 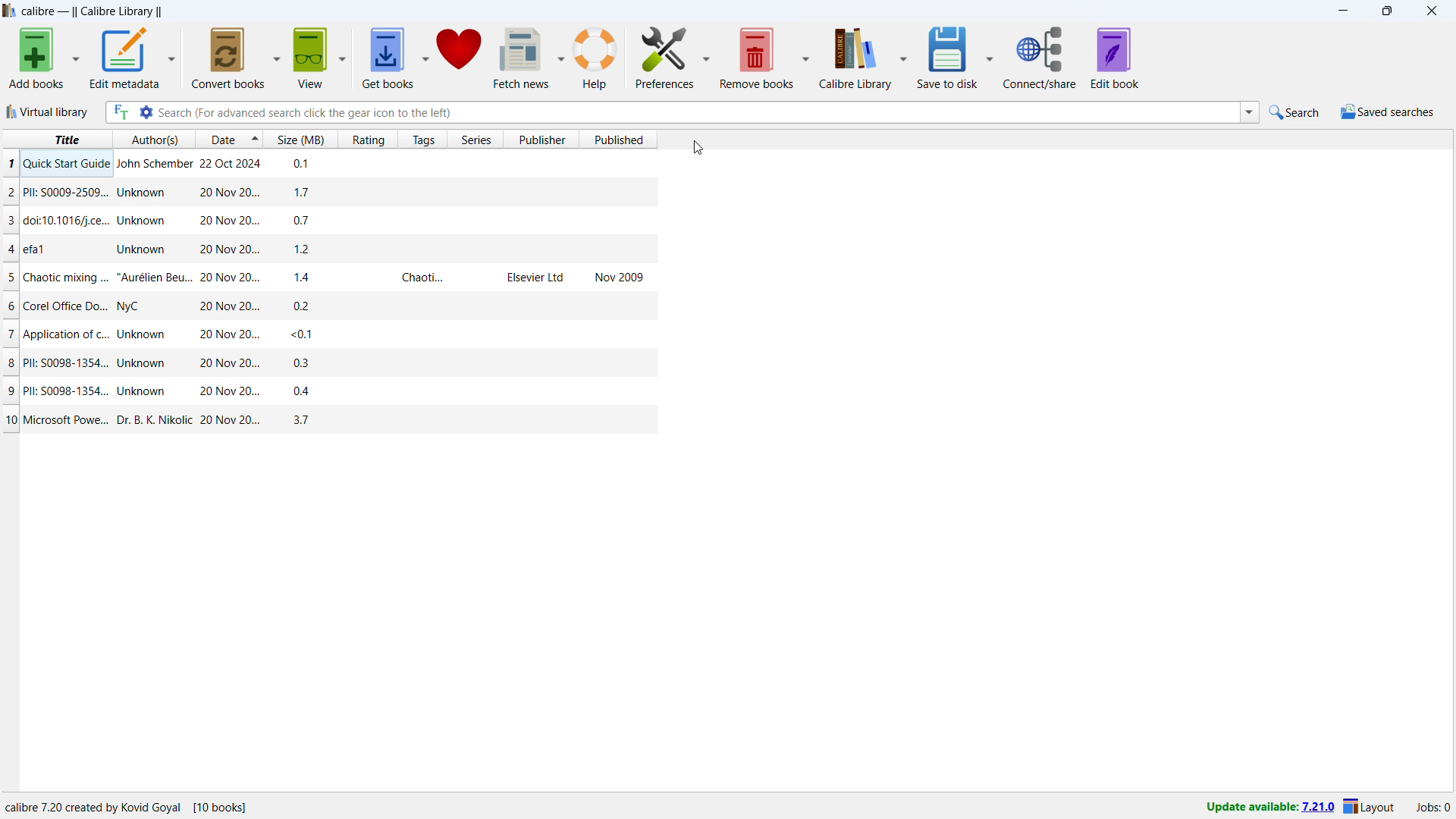 What do you see at coordinates (328, 219) in the screenshot?
I see `3 | doi:10.1016/j.ce... Unknown 20 Nov 20... 07` at bounding box center [328, 219].